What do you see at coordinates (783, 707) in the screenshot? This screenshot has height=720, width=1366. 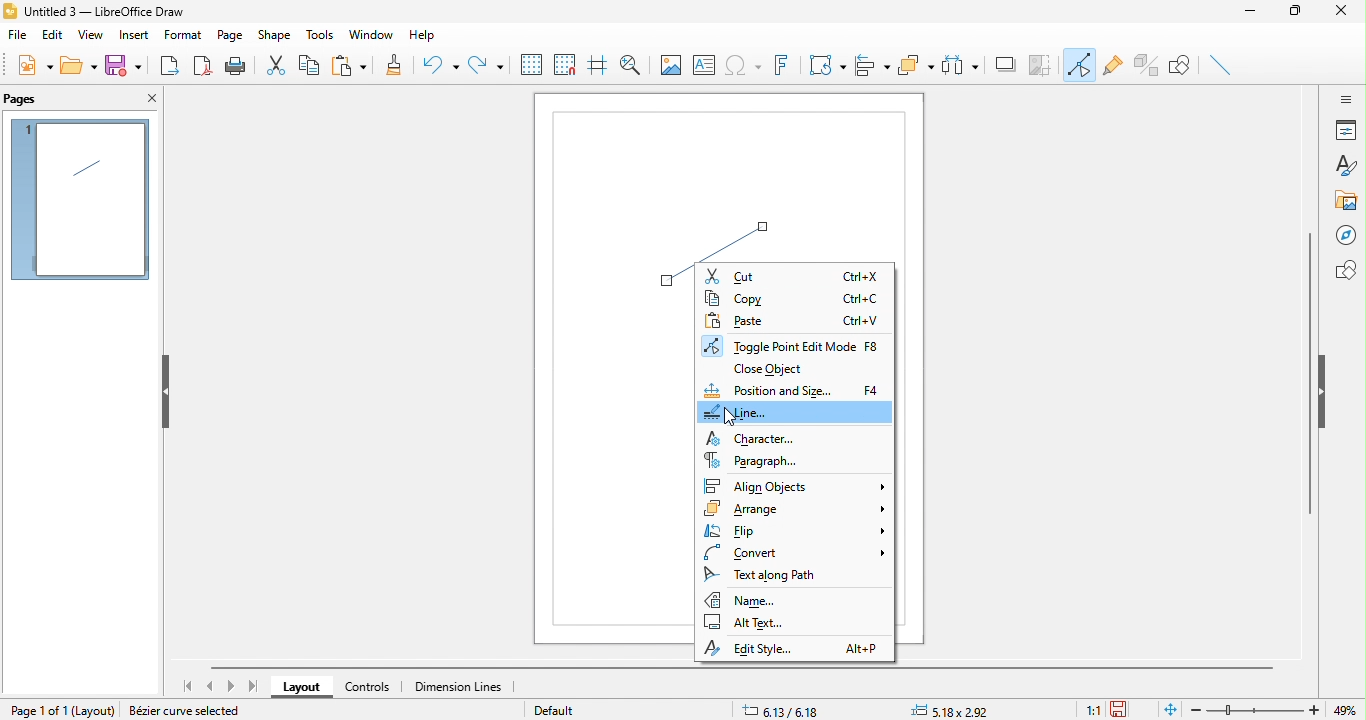 I see `6.13/6.18` at bounding box center [783, 707].